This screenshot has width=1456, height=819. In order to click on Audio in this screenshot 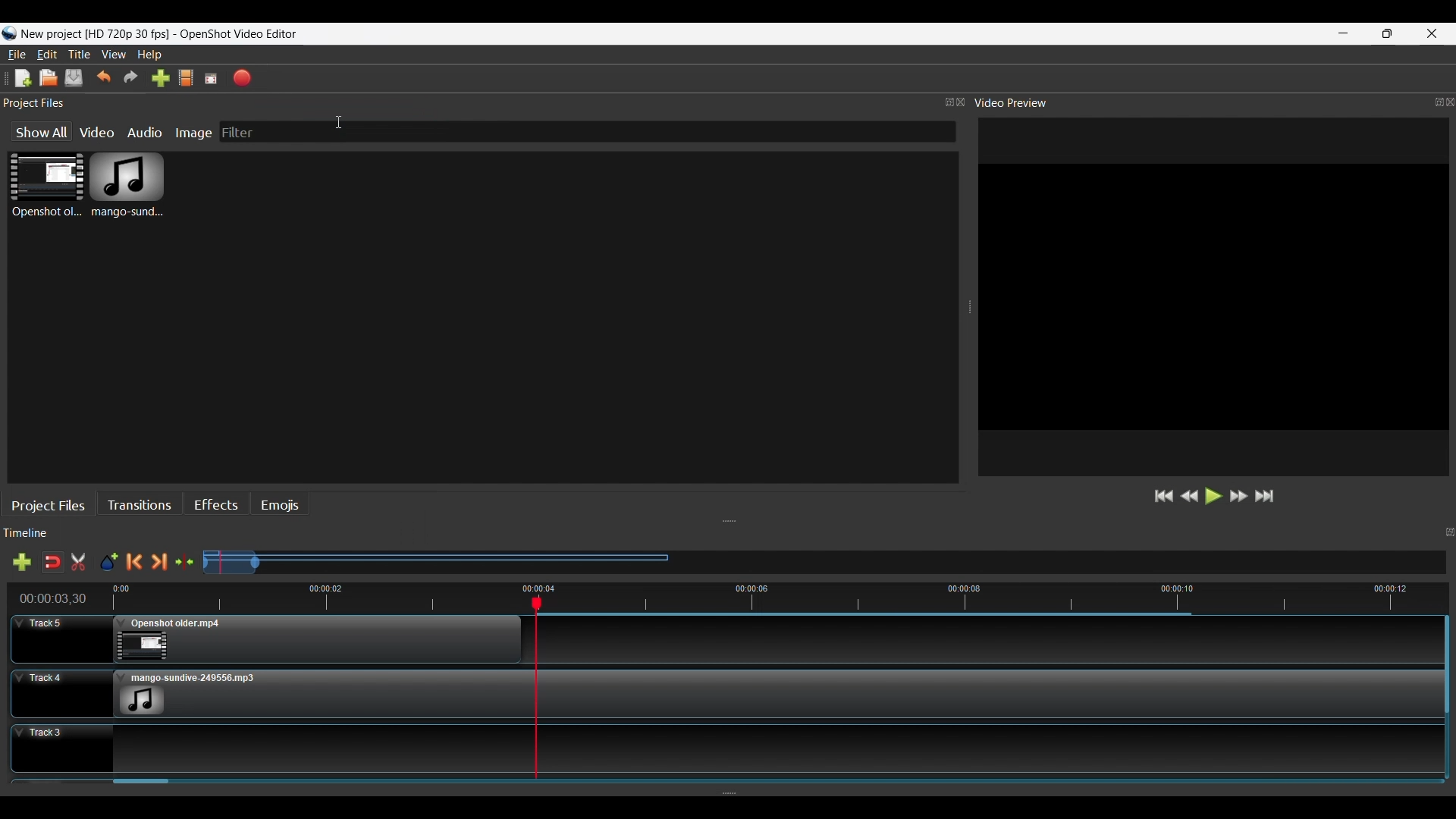, I will do `click(145, 132)`.